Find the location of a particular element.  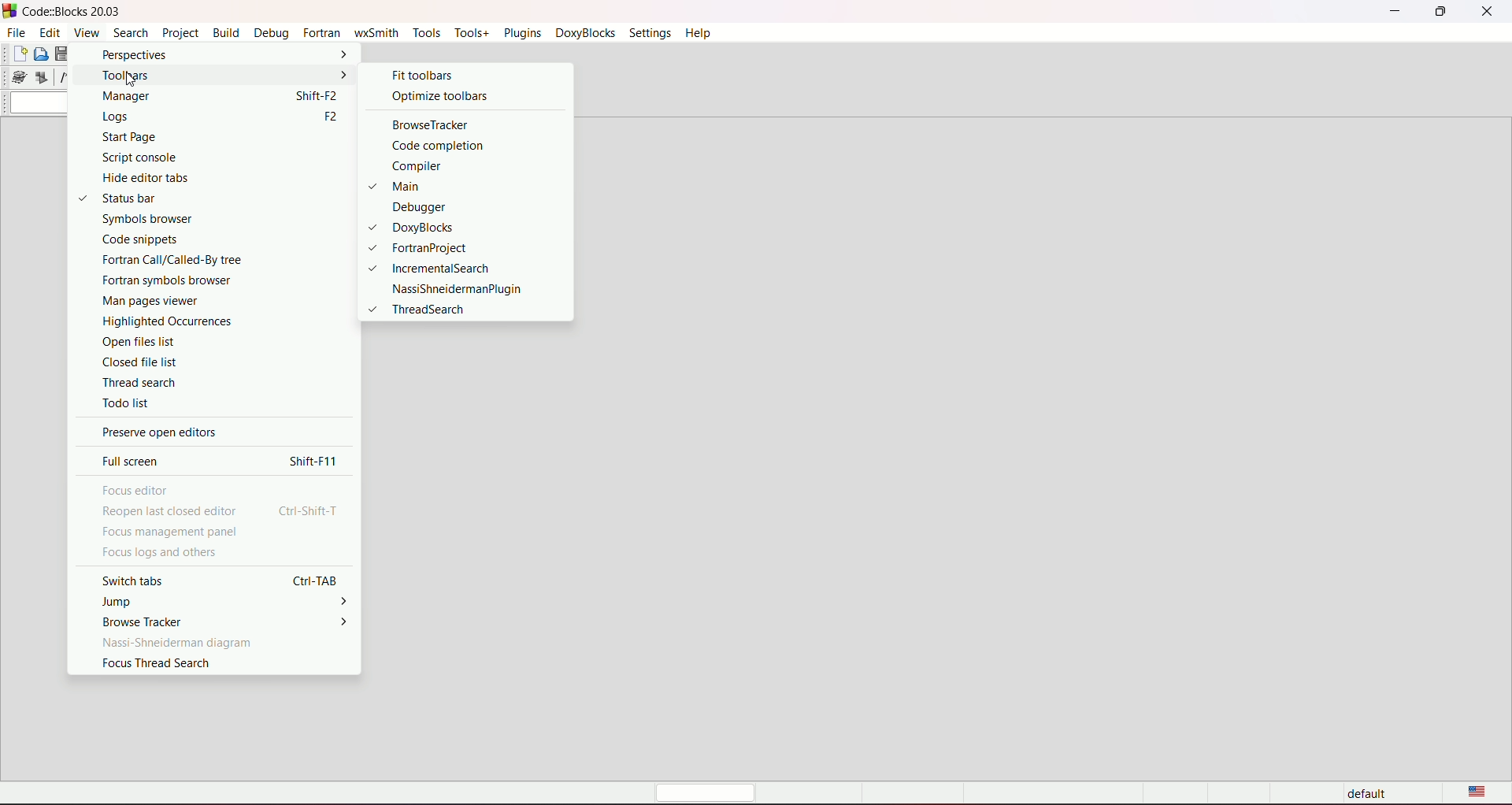

main is located at coordinates (431, 185).